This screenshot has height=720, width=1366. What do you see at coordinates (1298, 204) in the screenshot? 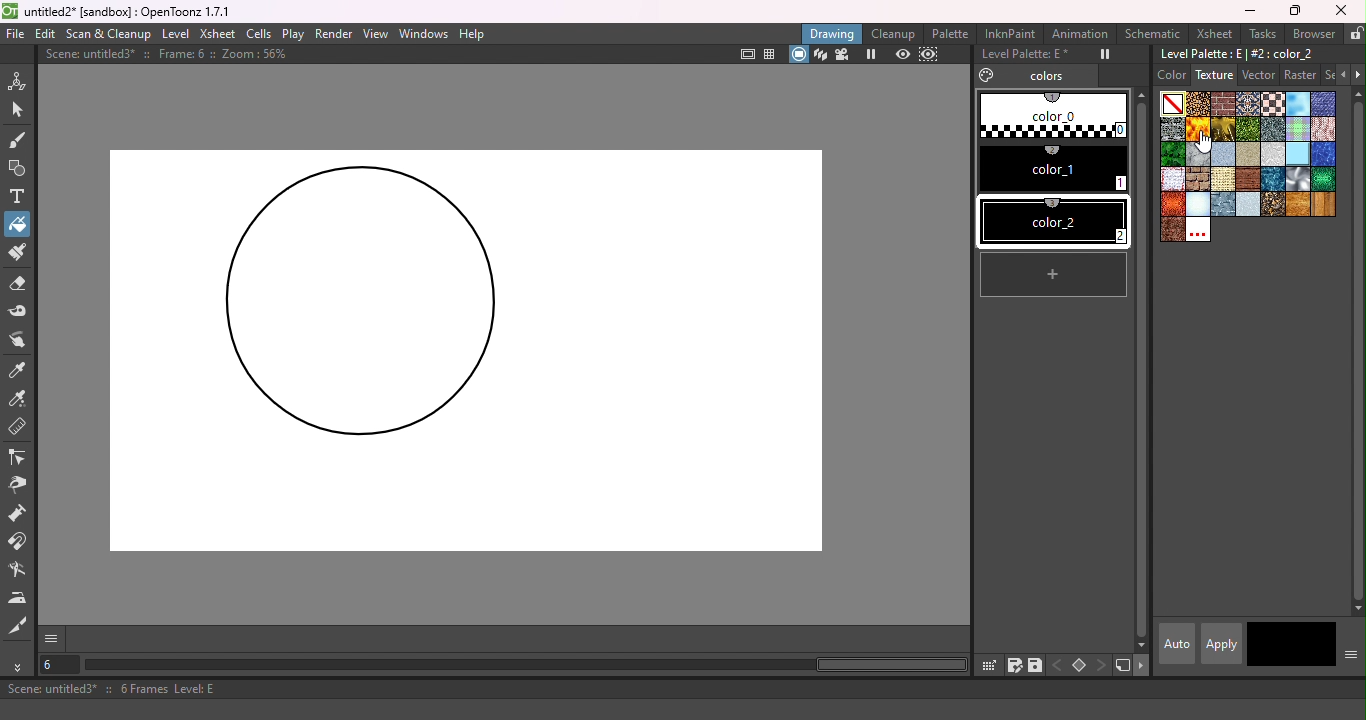
I see `woodgran.bmp` at bounding box center [1298, 204].